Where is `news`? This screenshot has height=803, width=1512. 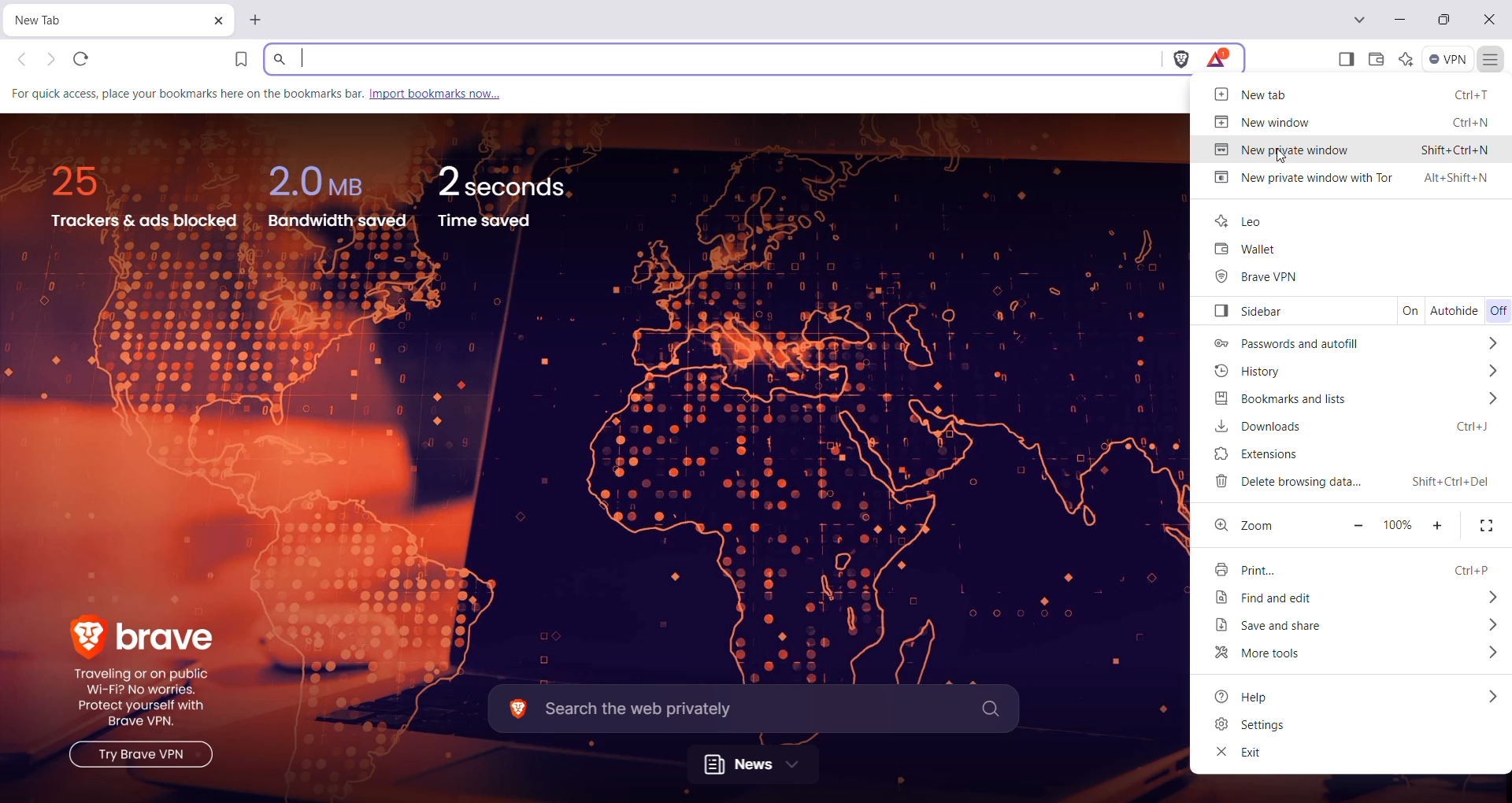
news is located at coordinates (752, 764).